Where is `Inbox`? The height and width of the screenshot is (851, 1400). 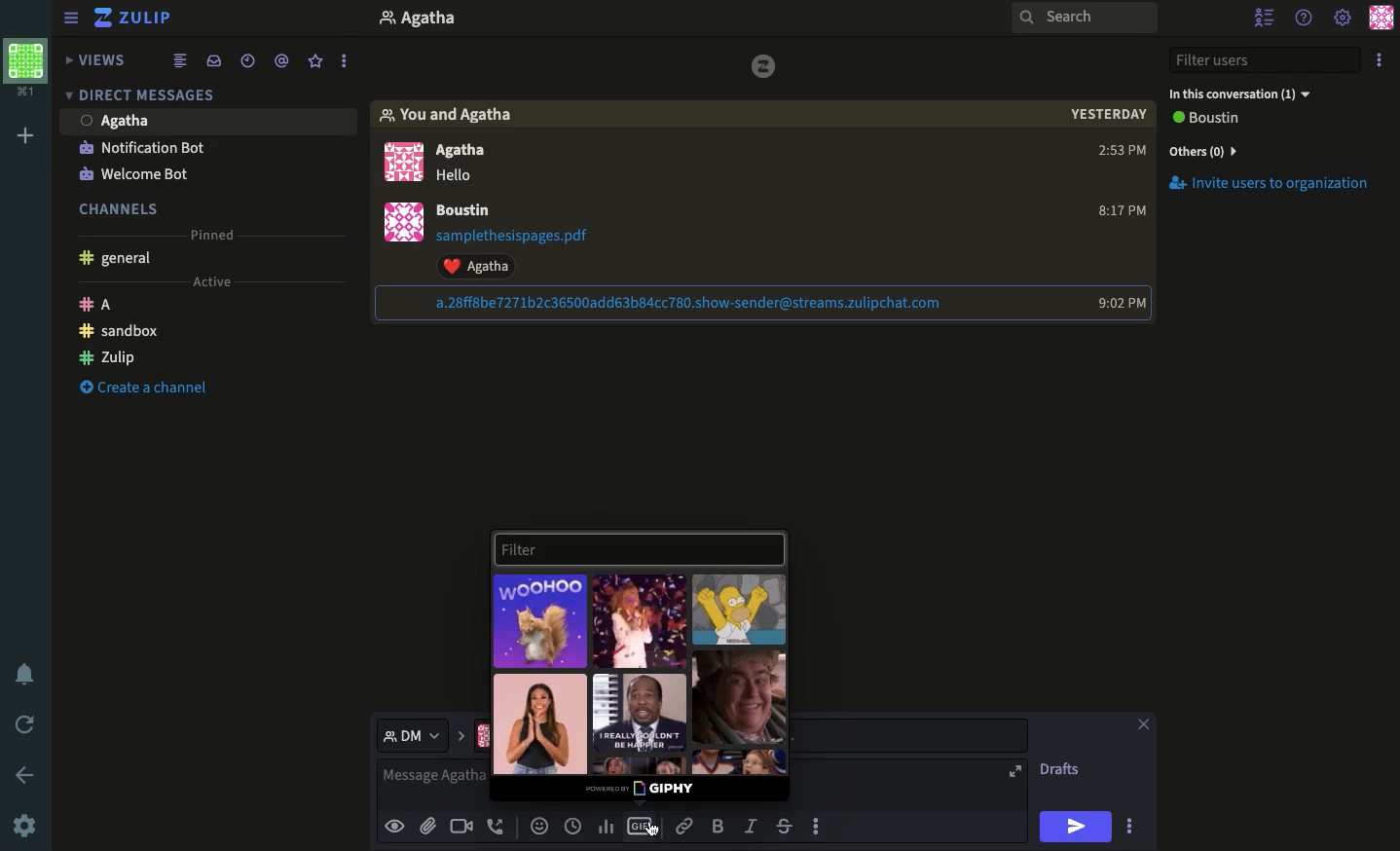
Inbox is located at coordinates (218, 61).